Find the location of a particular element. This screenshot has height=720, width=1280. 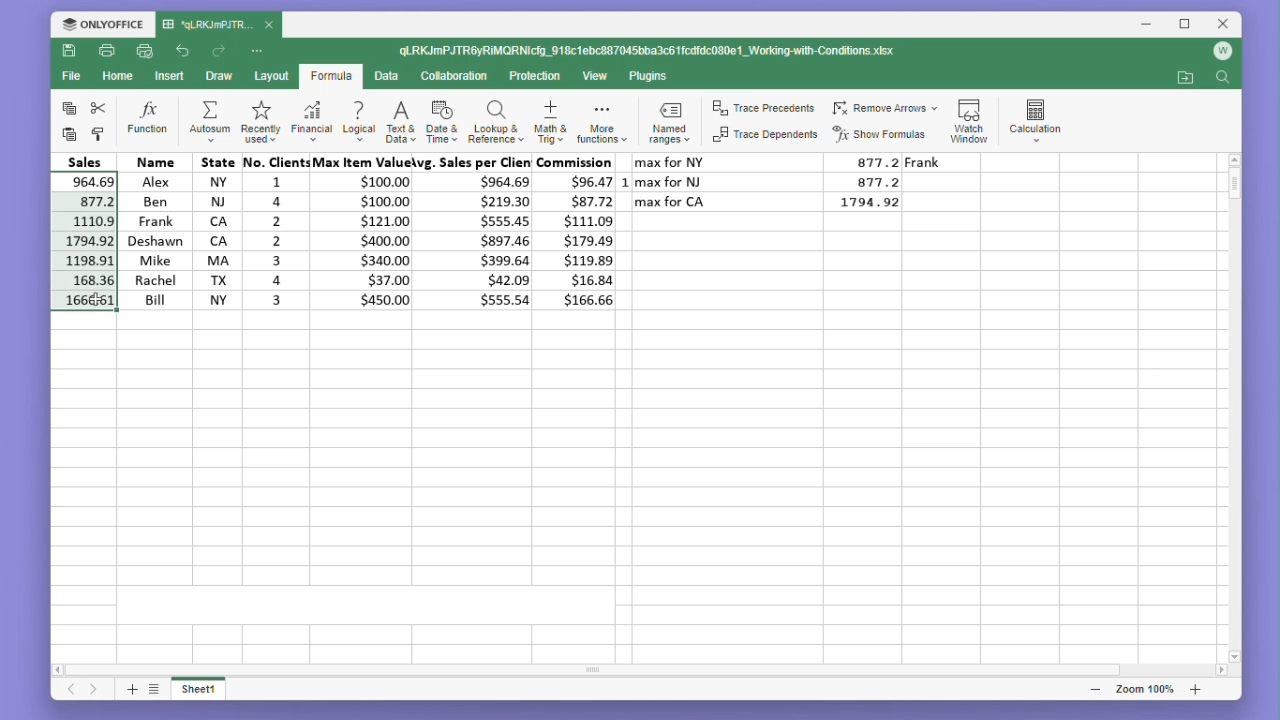

paste is located at coordinates (70, 135).